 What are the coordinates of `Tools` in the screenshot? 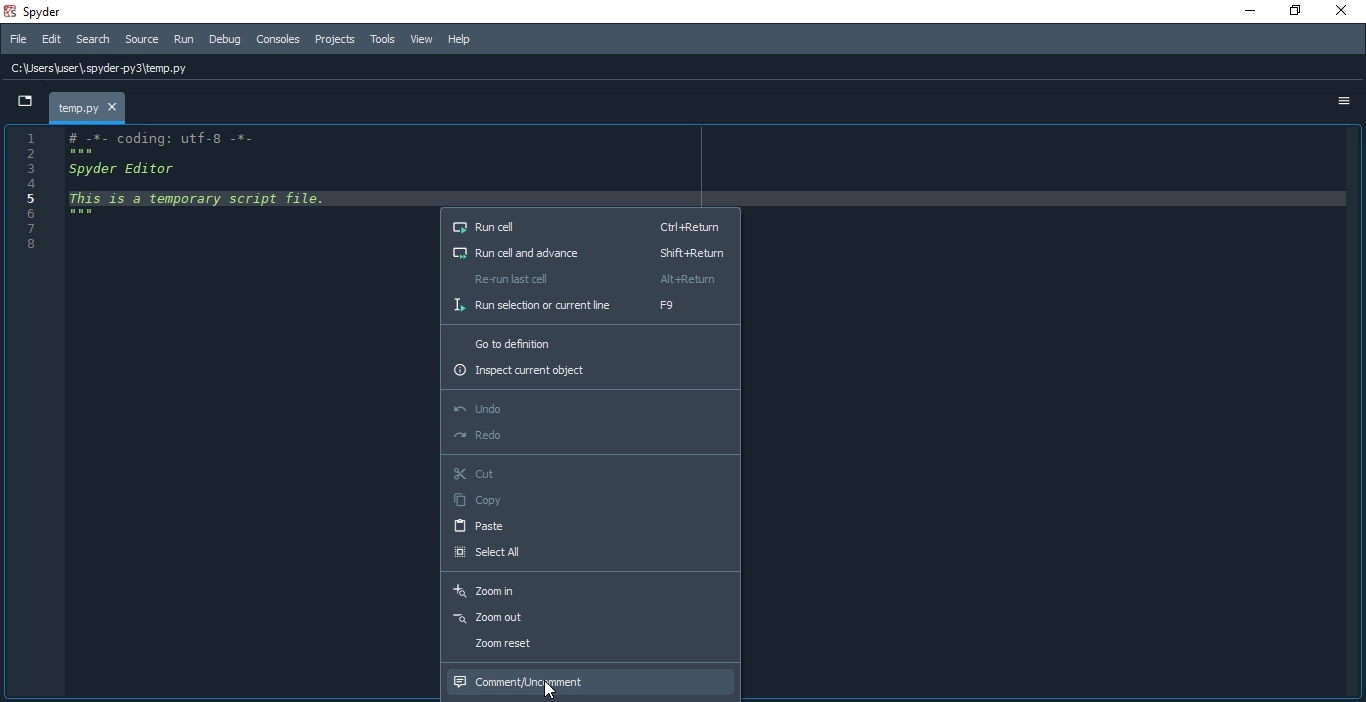 It's located at (382, 40).